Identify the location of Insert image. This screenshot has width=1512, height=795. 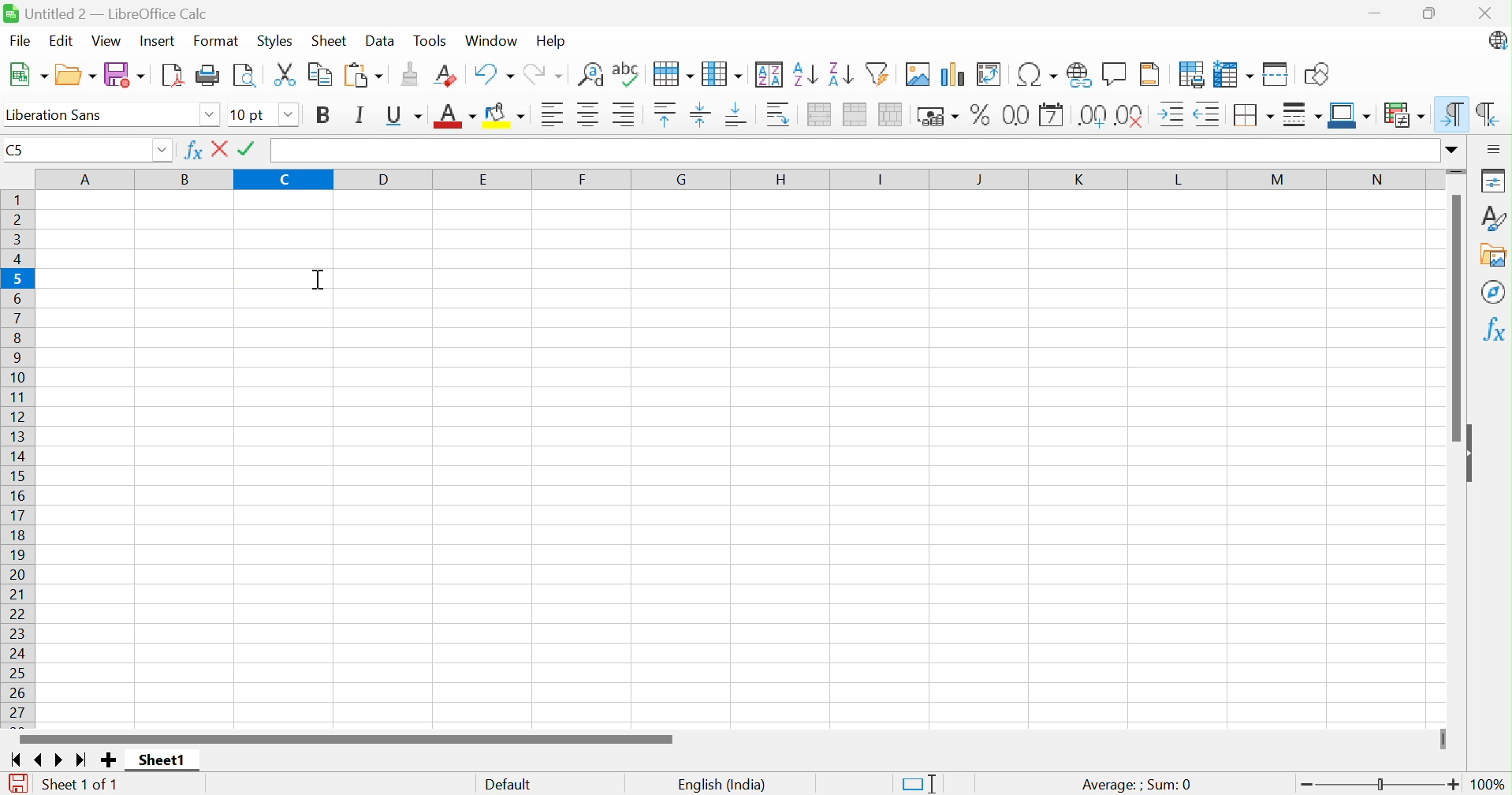
(920, 74).